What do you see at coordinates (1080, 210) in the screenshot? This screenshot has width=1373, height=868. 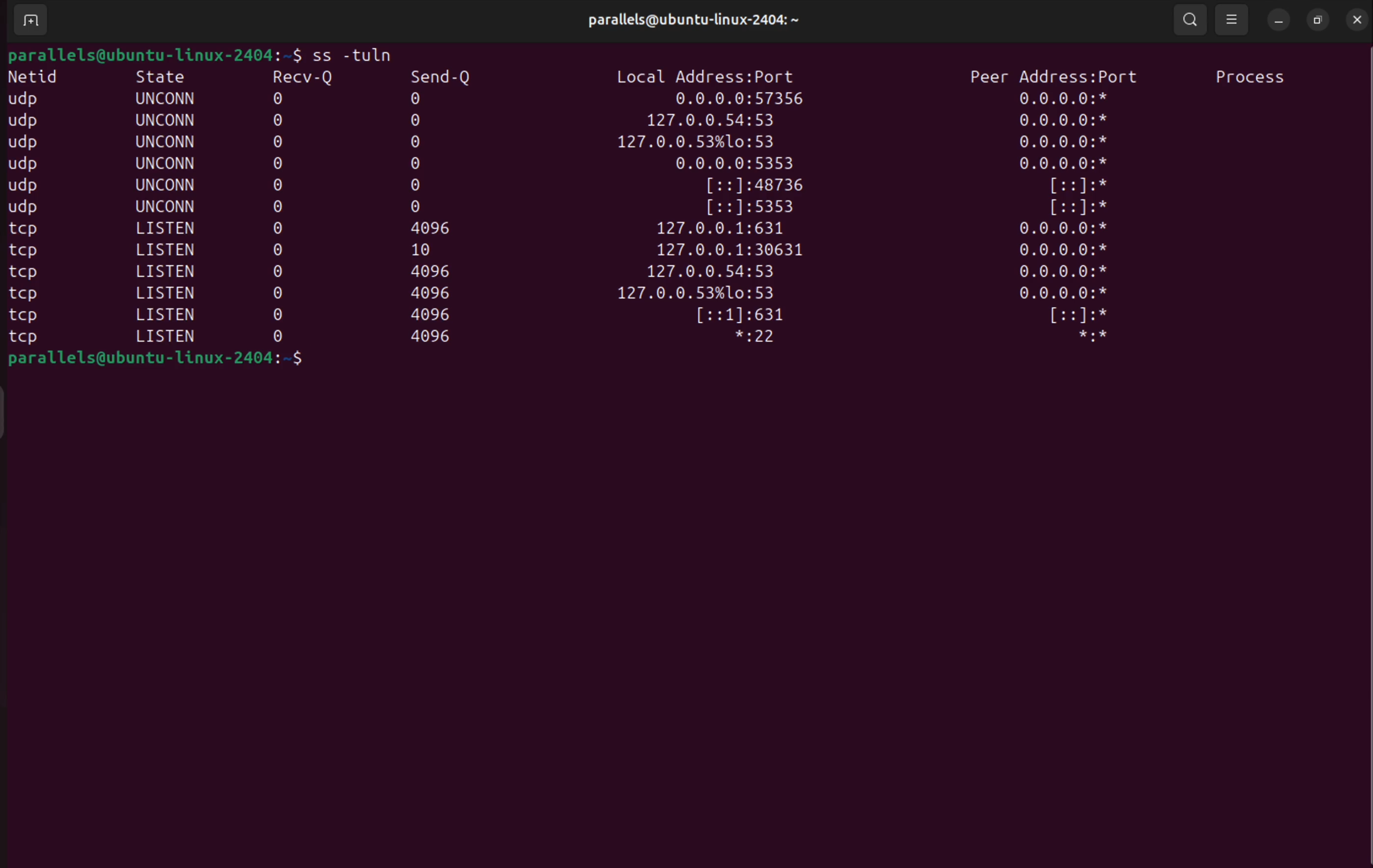 I see `*` at bounding box center [1080, 210].